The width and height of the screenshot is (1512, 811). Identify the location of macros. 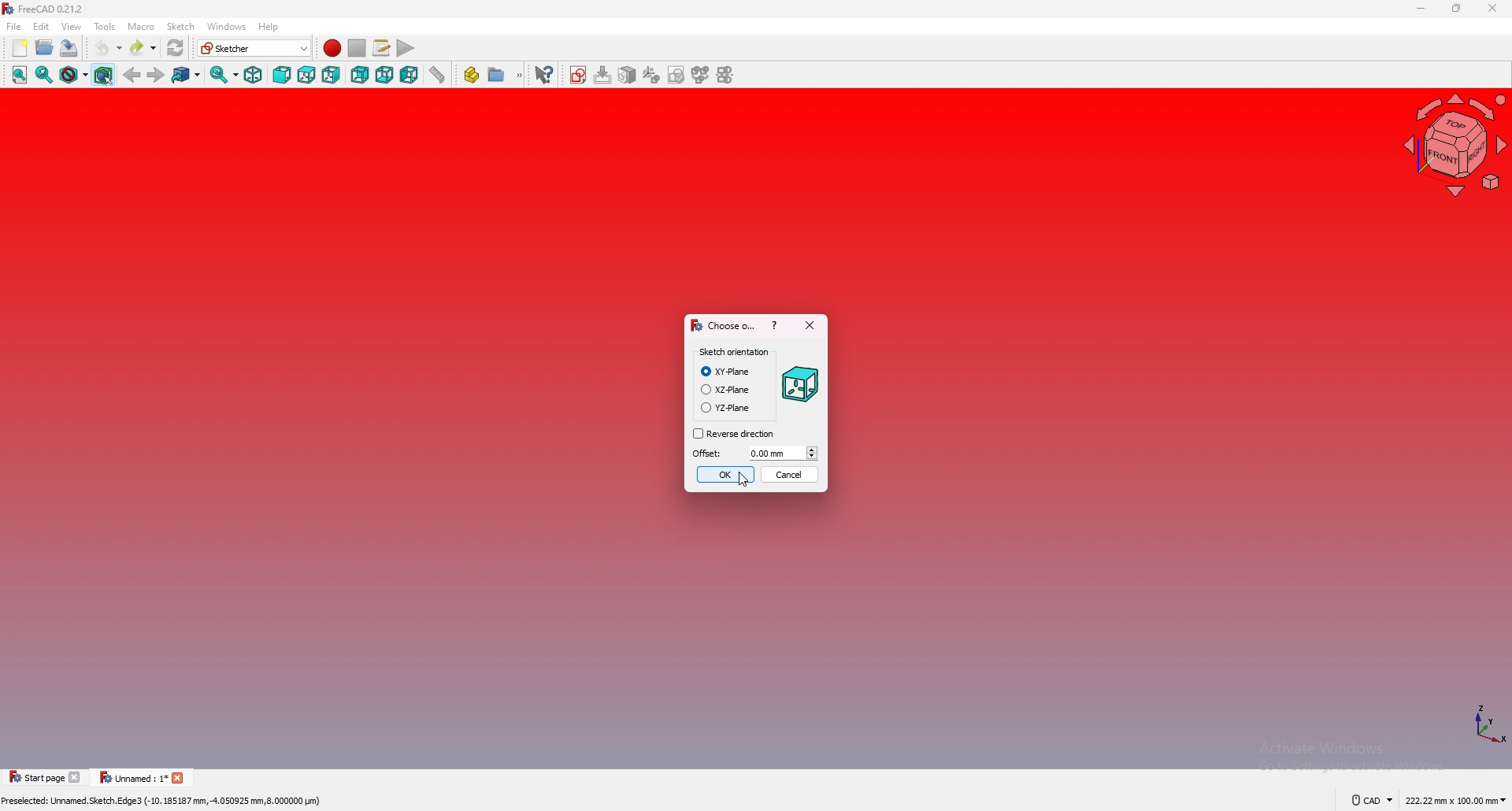
(382, 48).